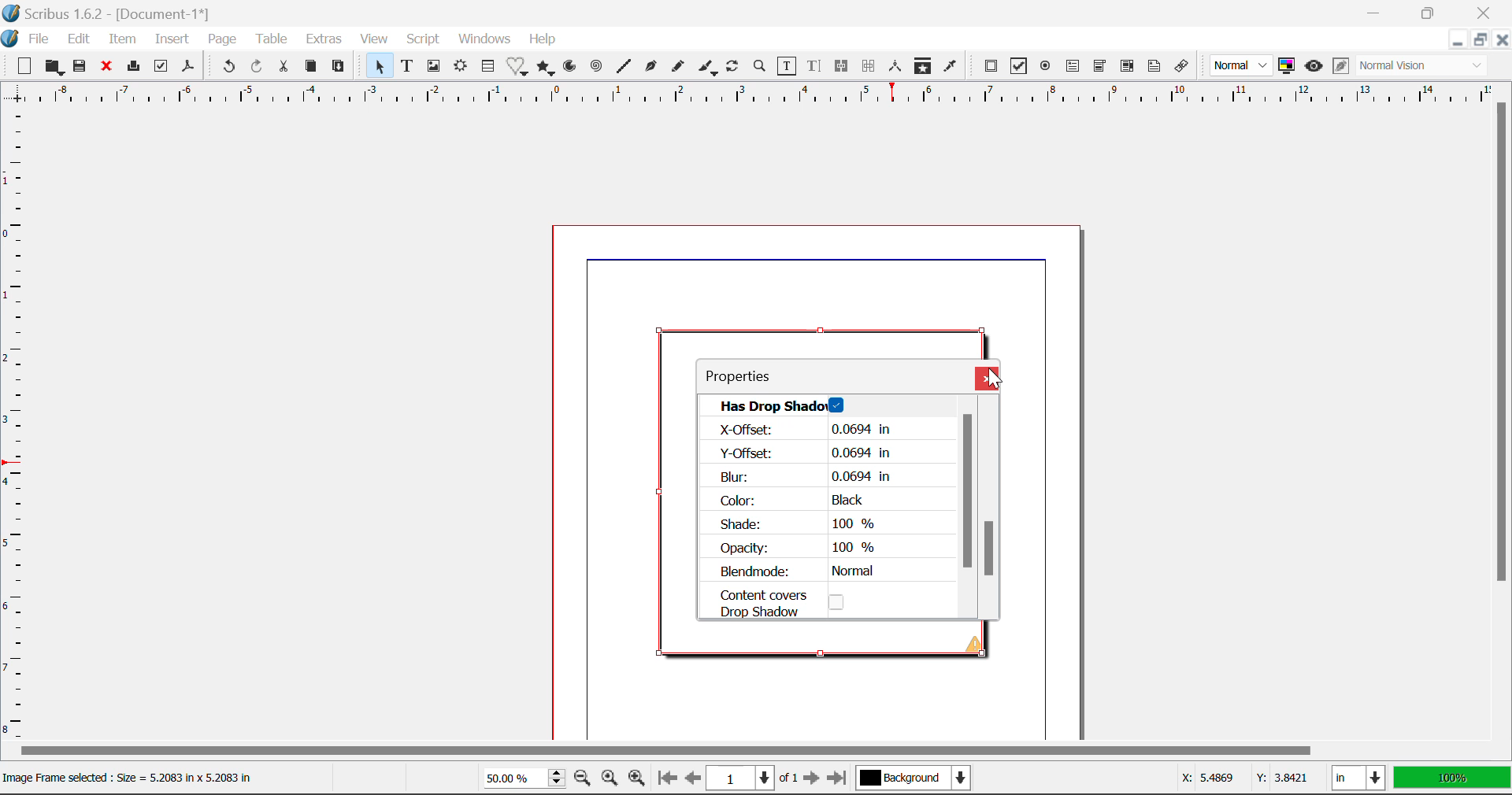 Image resolution: width=1512 pixels, height=795 pixels. What do you see at coordinates (171, 39) in the screenshot?
I see `Insert` at bounding box center [171, 39].